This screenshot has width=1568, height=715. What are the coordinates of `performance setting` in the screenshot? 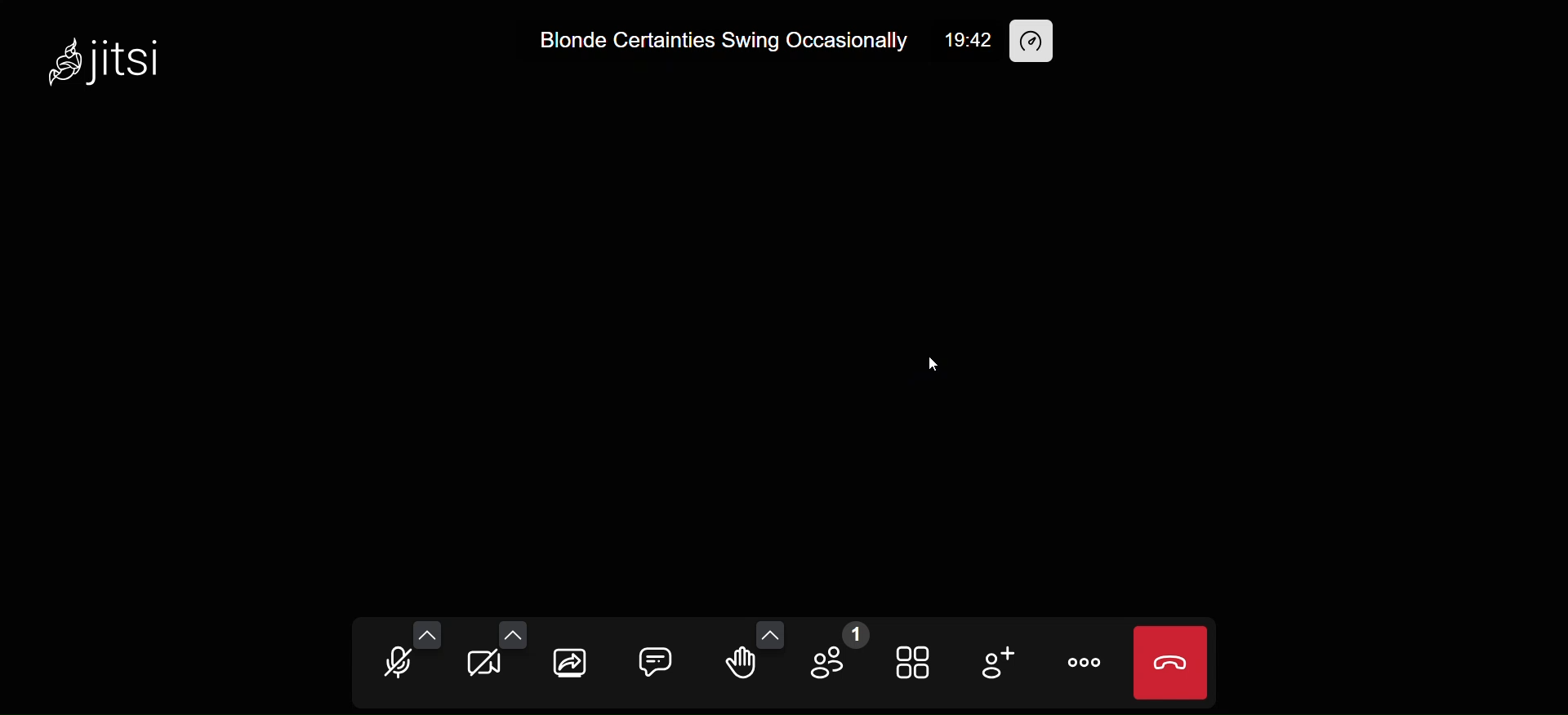 It's located at (1033, 42).